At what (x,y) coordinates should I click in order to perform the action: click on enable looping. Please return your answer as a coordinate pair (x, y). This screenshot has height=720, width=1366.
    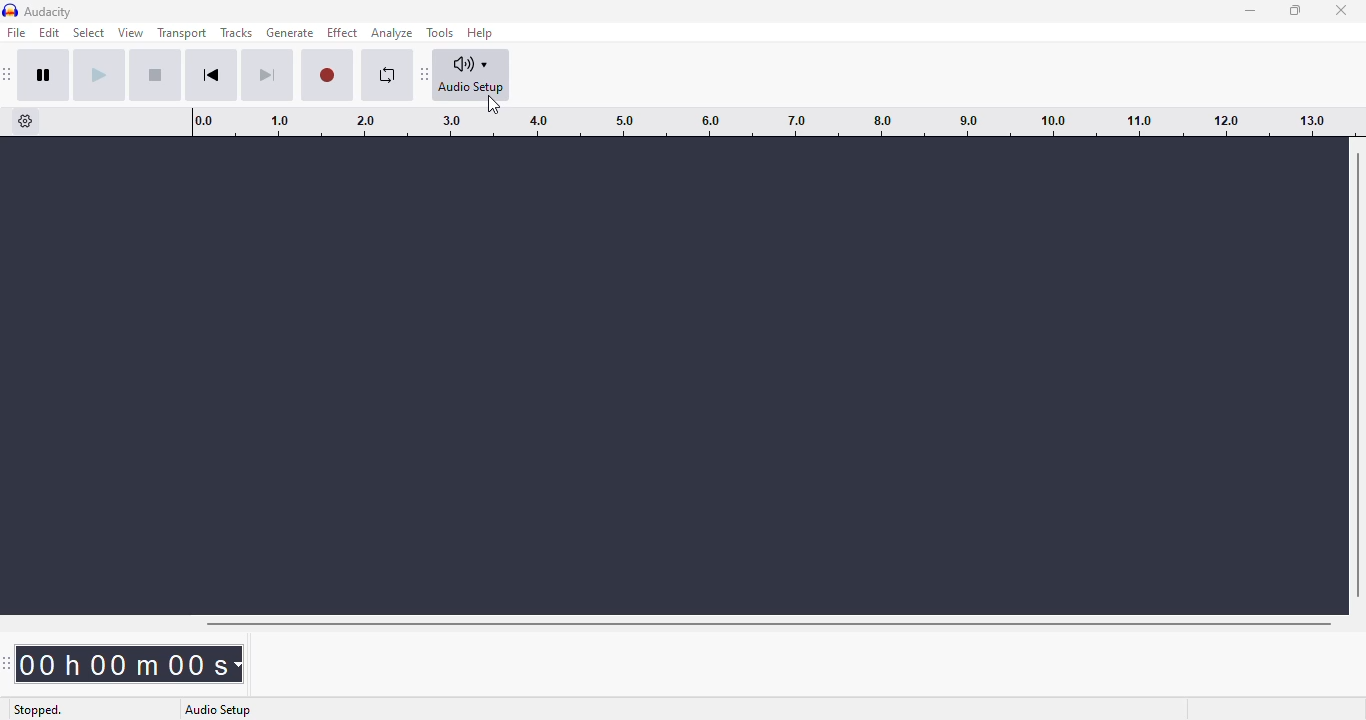
    Looking at the image, I should click on (388, 75).